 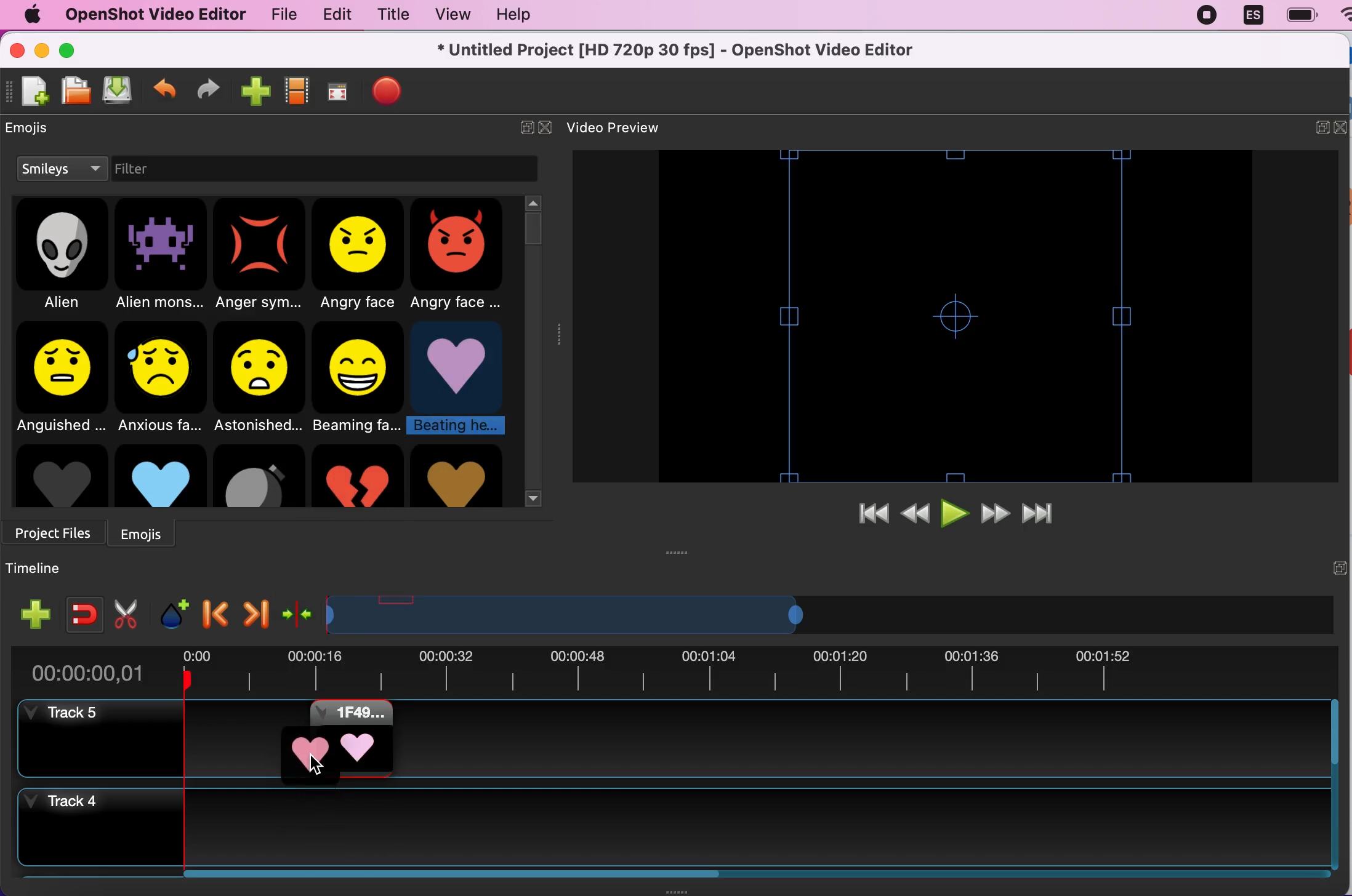 What do you see at coordinates (521, 18) in the screenshot?
I see `help` at bounding box center [521, 18].